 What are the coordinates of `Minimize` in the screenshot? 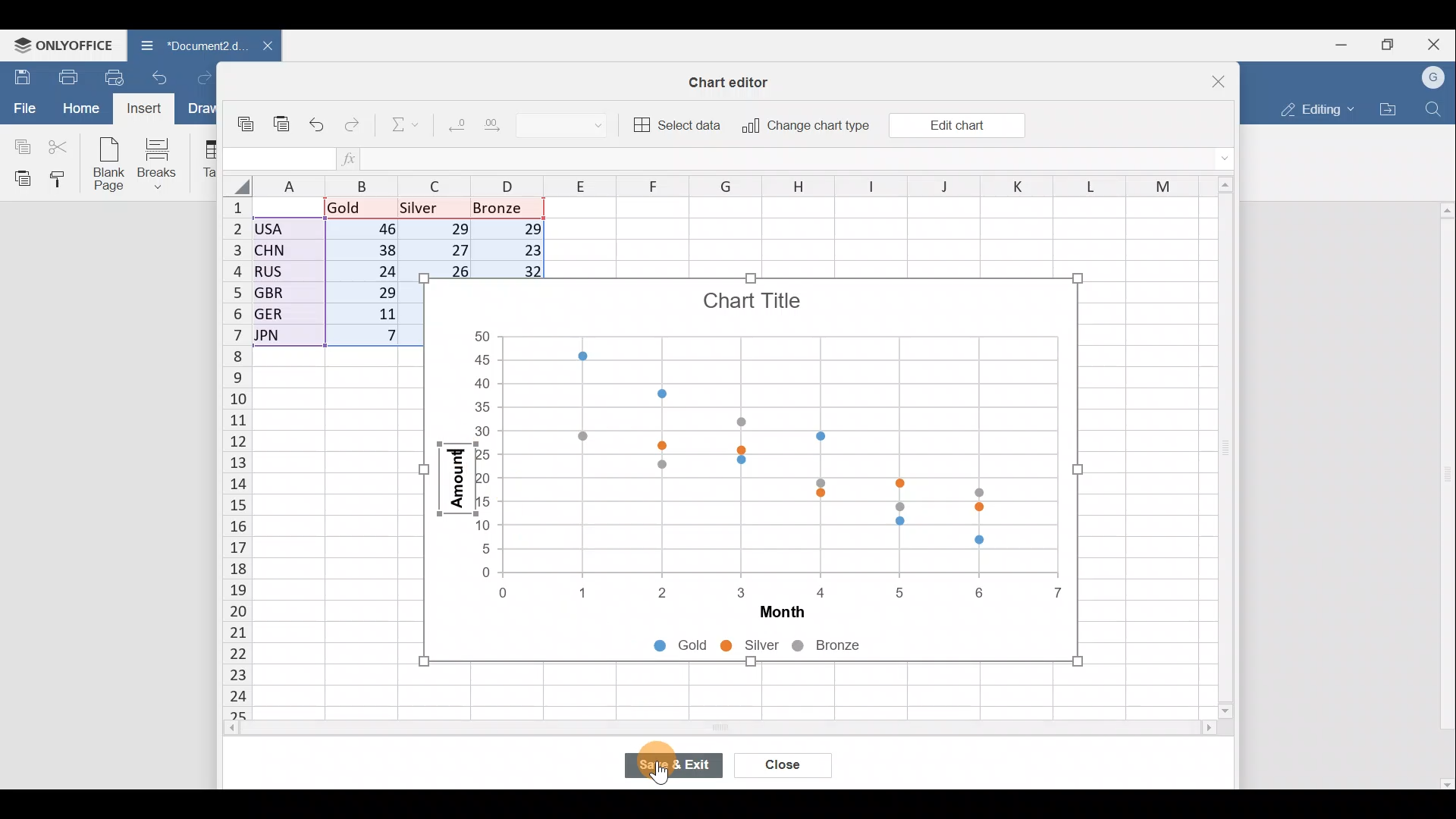 It's located at (1338, 46).